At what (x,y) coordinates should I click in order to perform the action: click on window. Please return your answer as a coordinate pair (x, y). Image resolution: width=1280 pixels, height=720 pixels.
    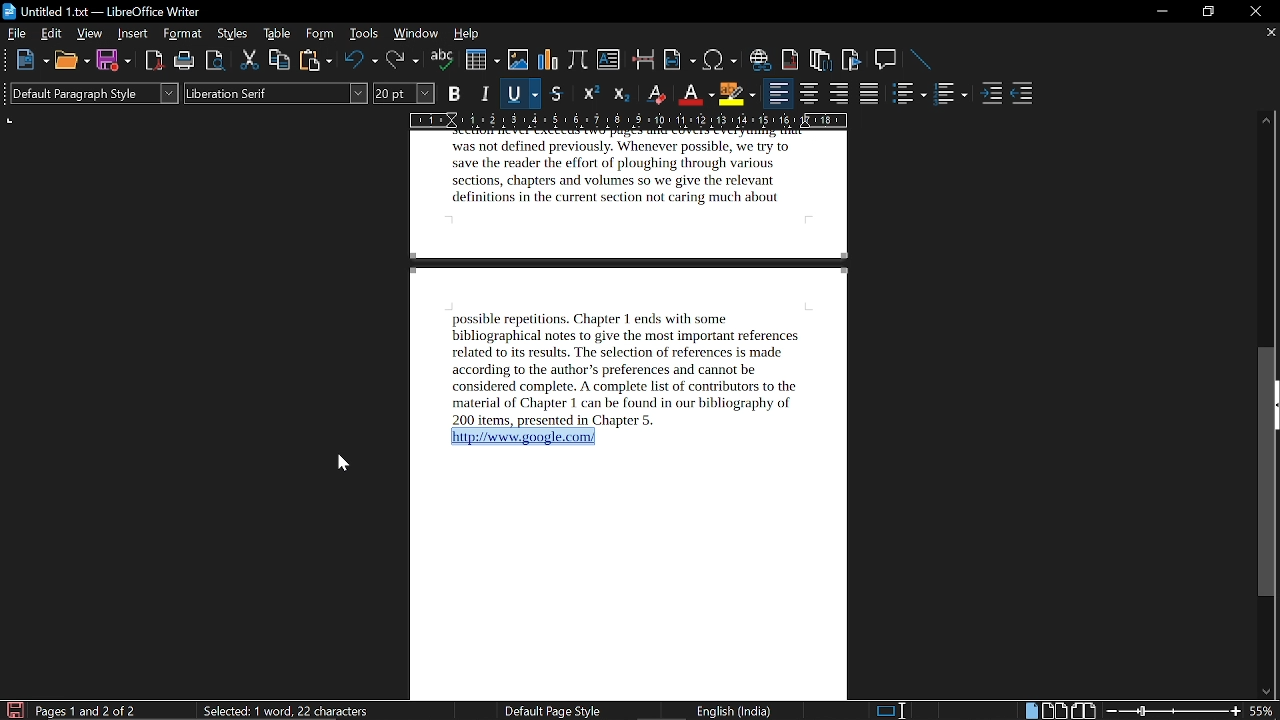
    Looking at the image, I should click on (416, 33).